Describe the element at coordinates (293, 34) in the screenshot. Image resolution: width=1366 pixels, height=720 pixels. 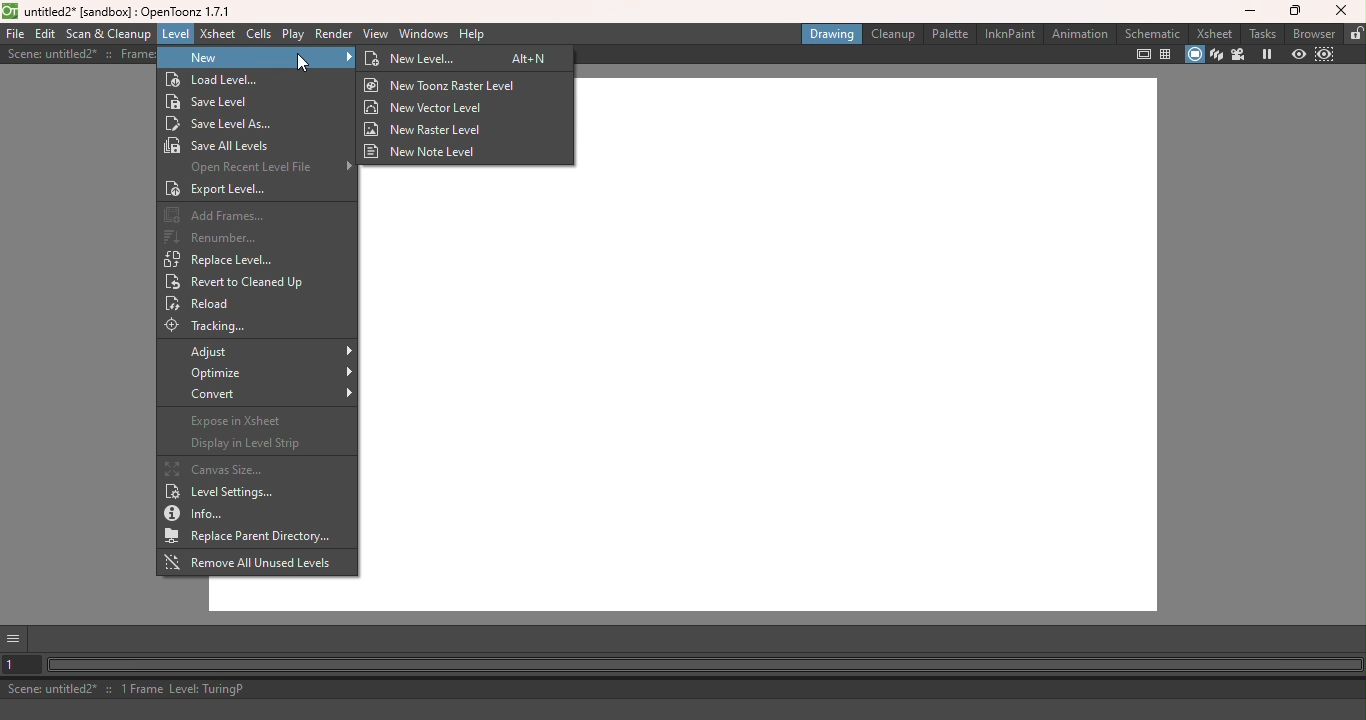
I see `Play` at that location.